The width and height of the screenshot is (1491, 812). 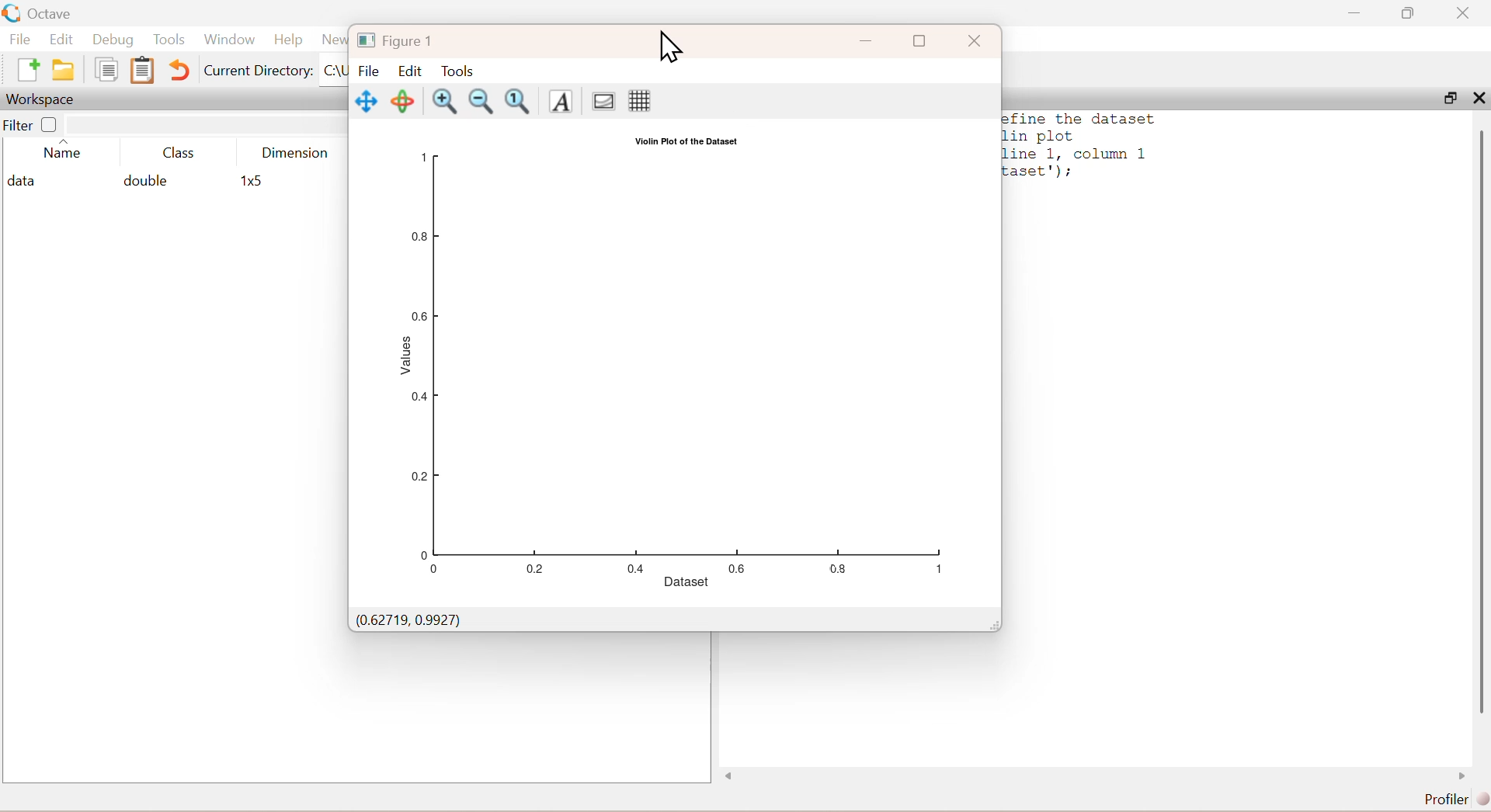 What do you see at coordinates (1355, 11) in the screenshot?
I see `minimise` at bounding box center [1355, 11].